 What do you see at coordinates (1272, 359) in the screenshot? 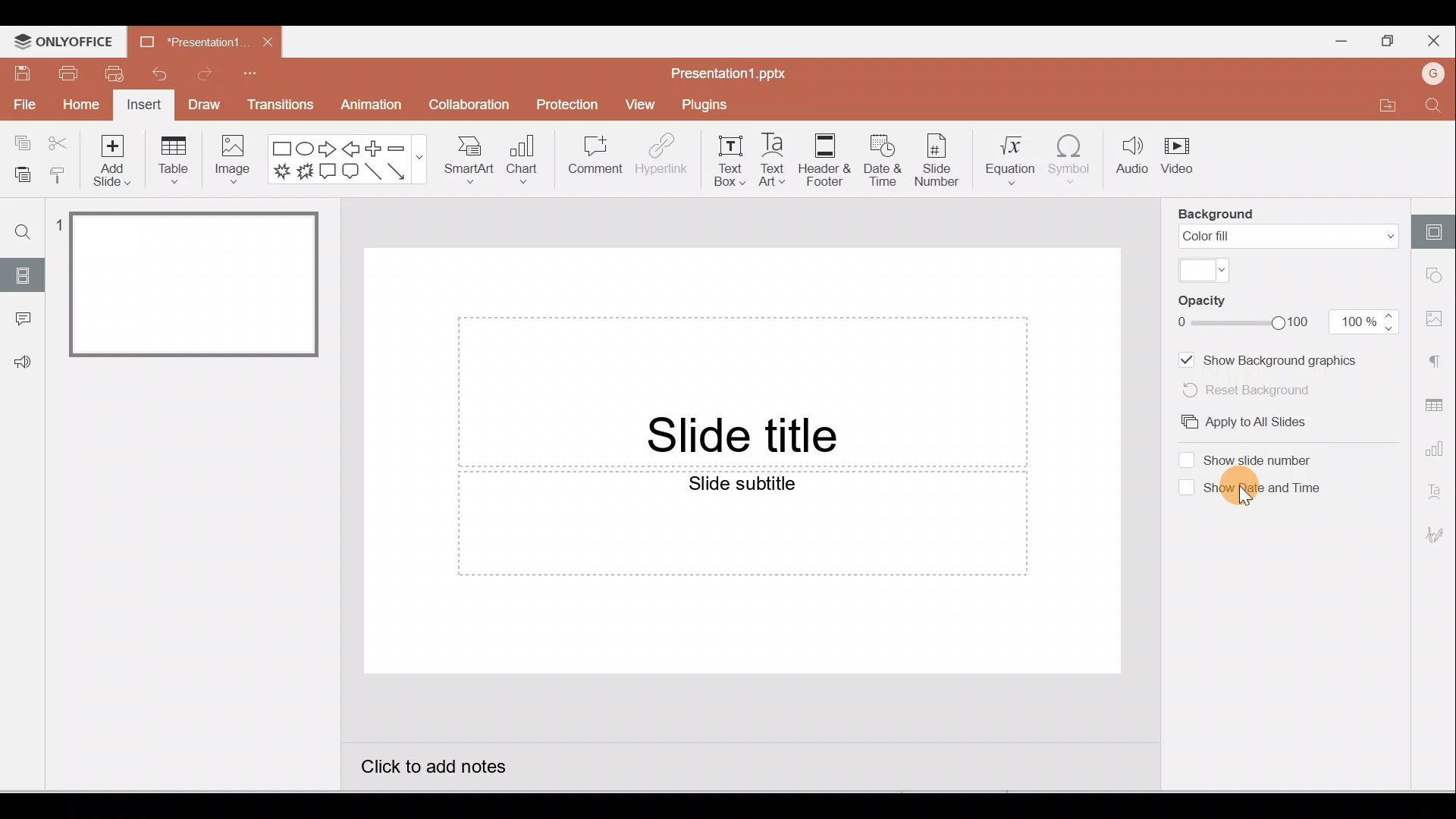
I see `Show background images` at bounding box center [1272, 359].